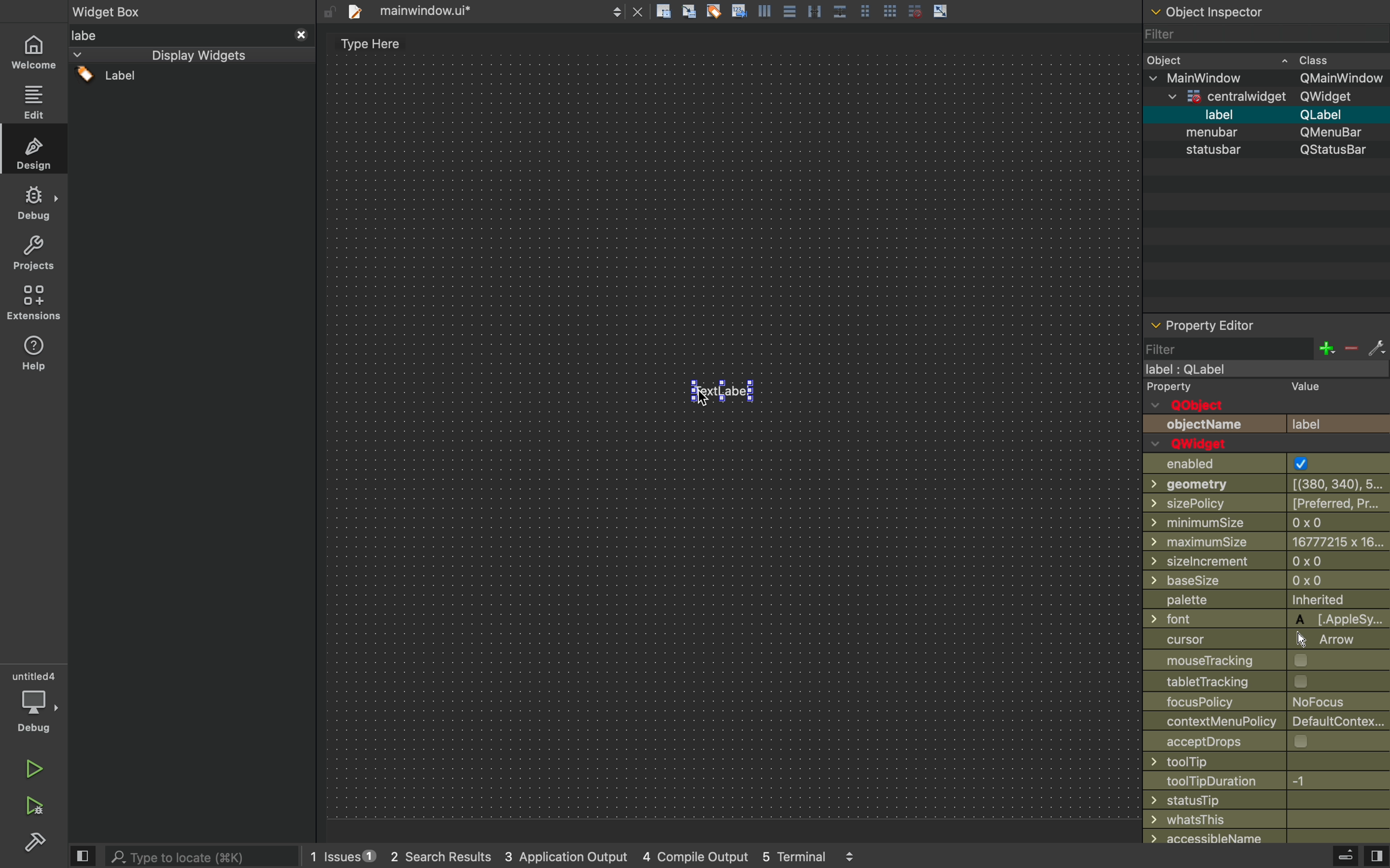  I want to click on debug menu, so click(1332, 857).